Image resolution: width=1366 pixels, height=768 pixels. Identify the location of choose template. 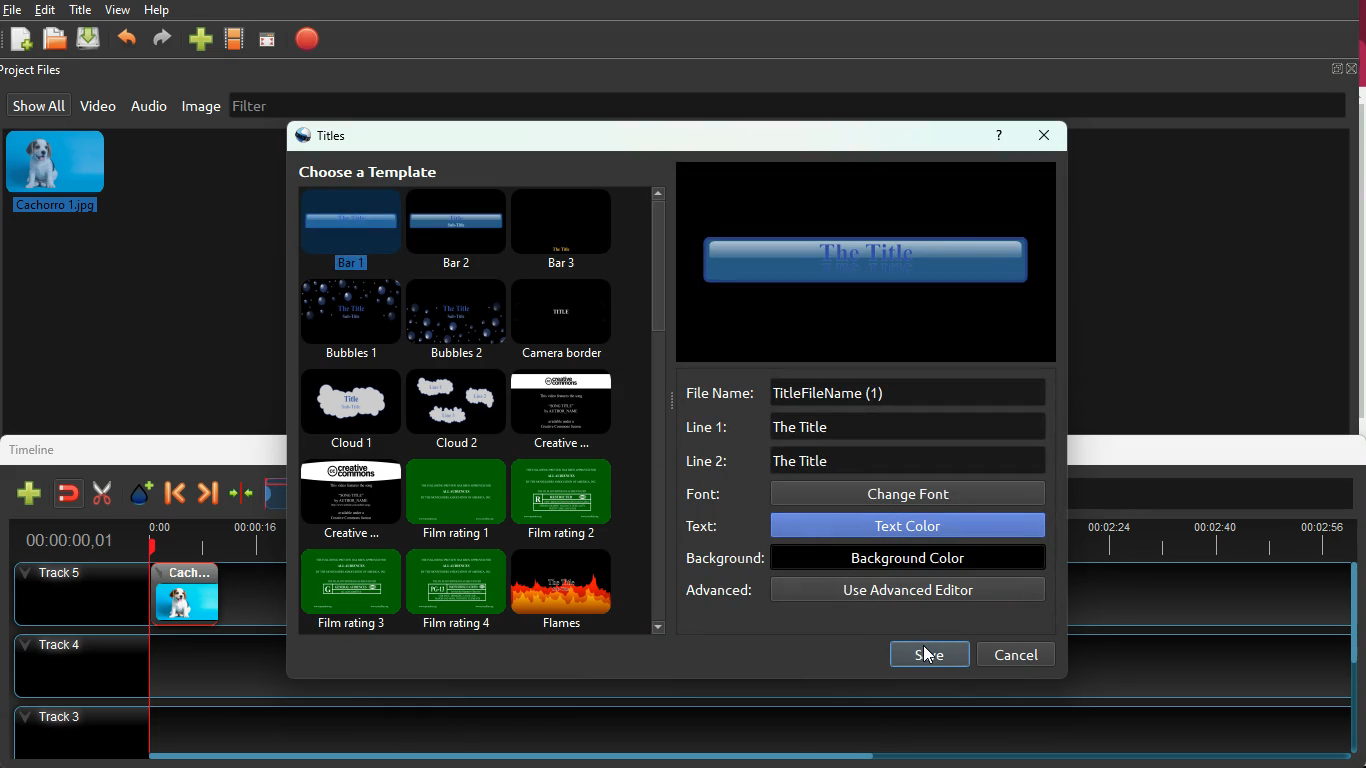
(371, 170).